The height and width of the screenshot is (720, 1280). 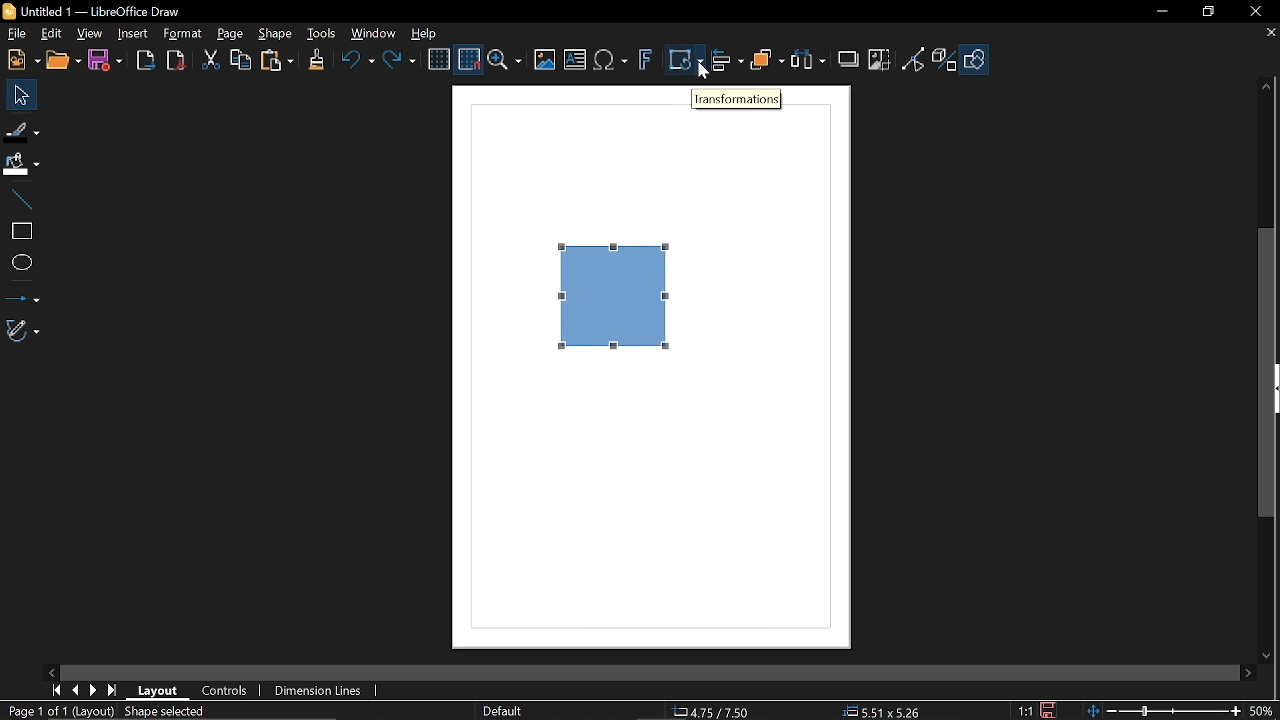 I want to click on 4.75/7.50 (Cursor Position), so click(x=710, y=710).